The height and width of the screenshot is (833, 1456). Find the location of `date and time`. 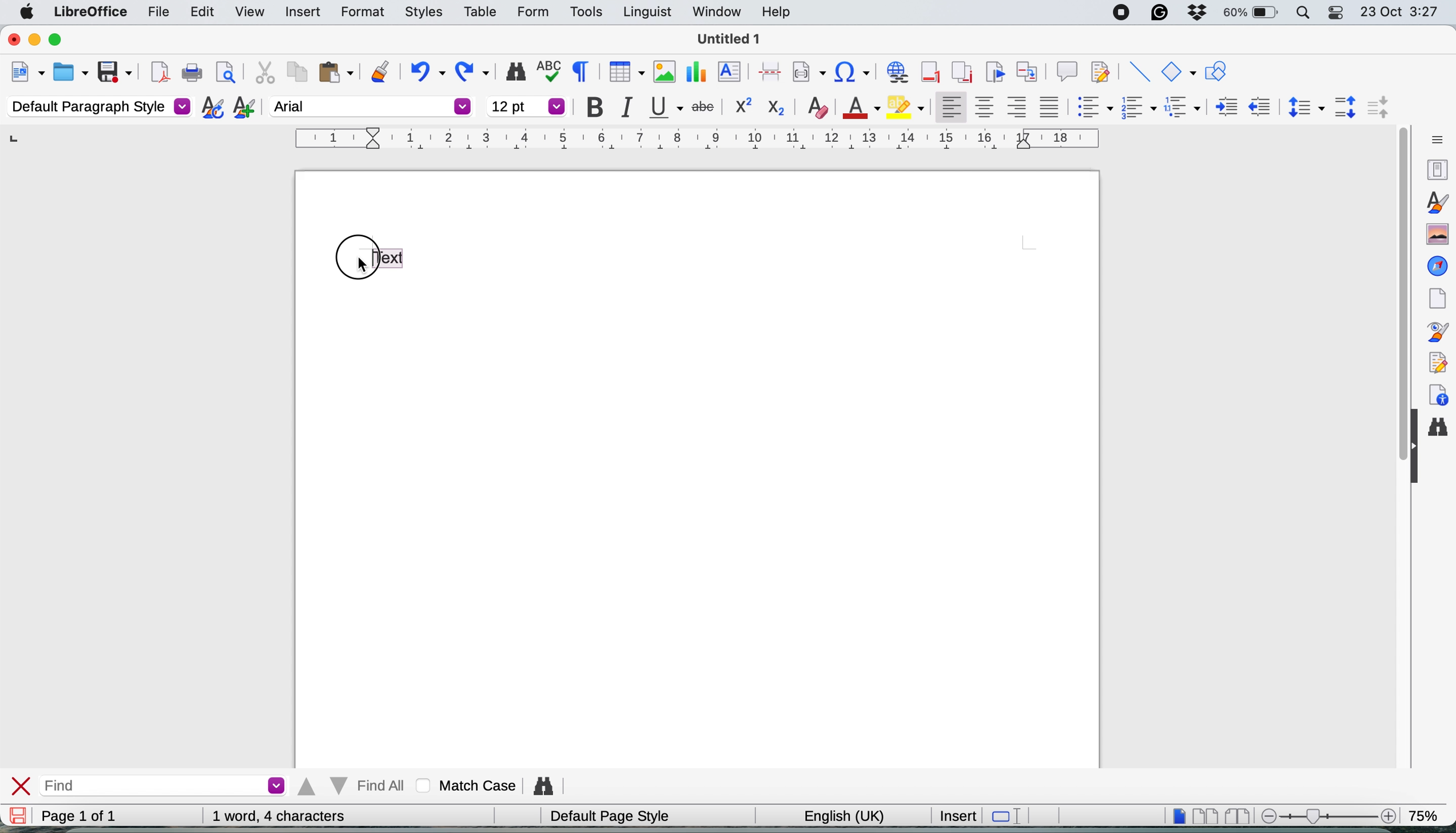

date and time is located at coordinates (1401, 13).